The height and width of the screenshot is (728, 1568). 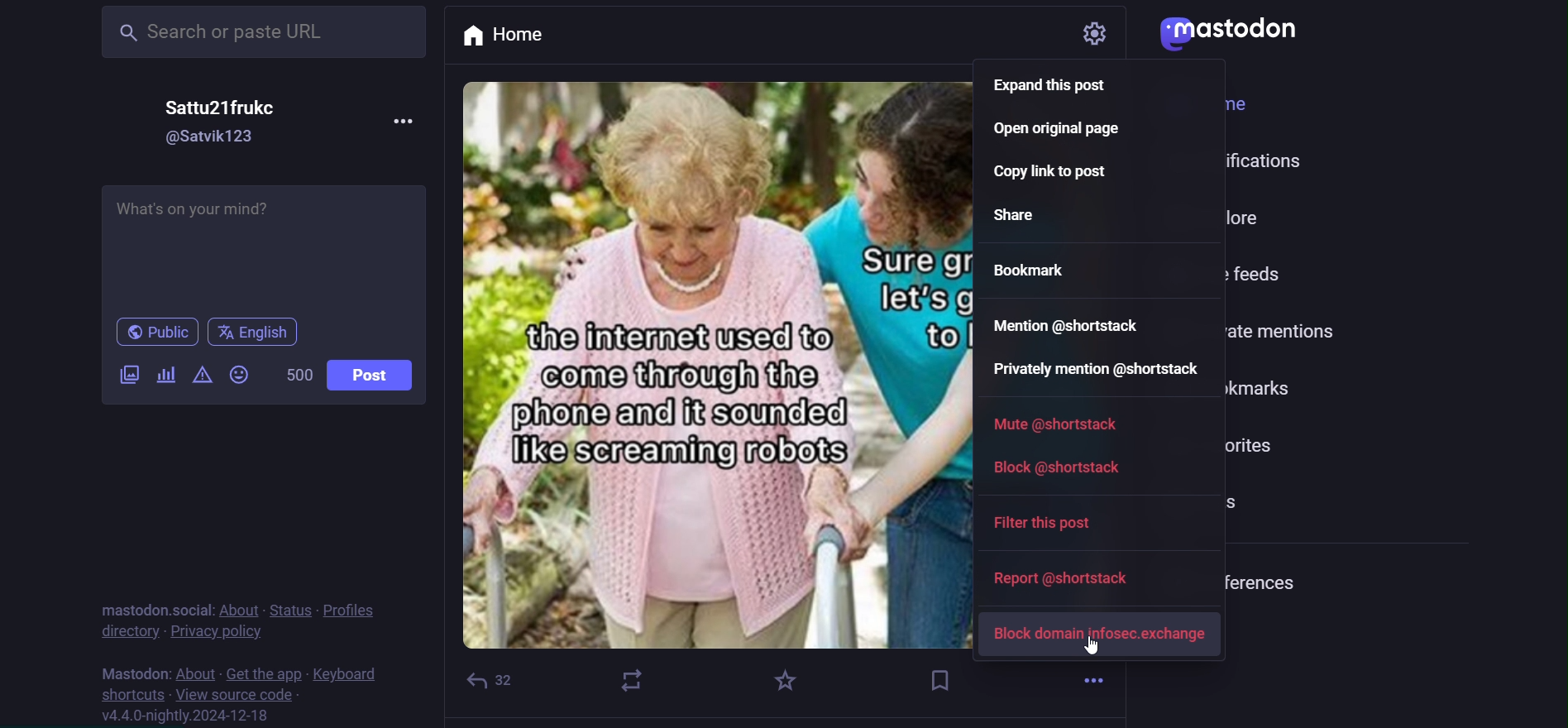 I want to click on more, so click(x=408, y=125).